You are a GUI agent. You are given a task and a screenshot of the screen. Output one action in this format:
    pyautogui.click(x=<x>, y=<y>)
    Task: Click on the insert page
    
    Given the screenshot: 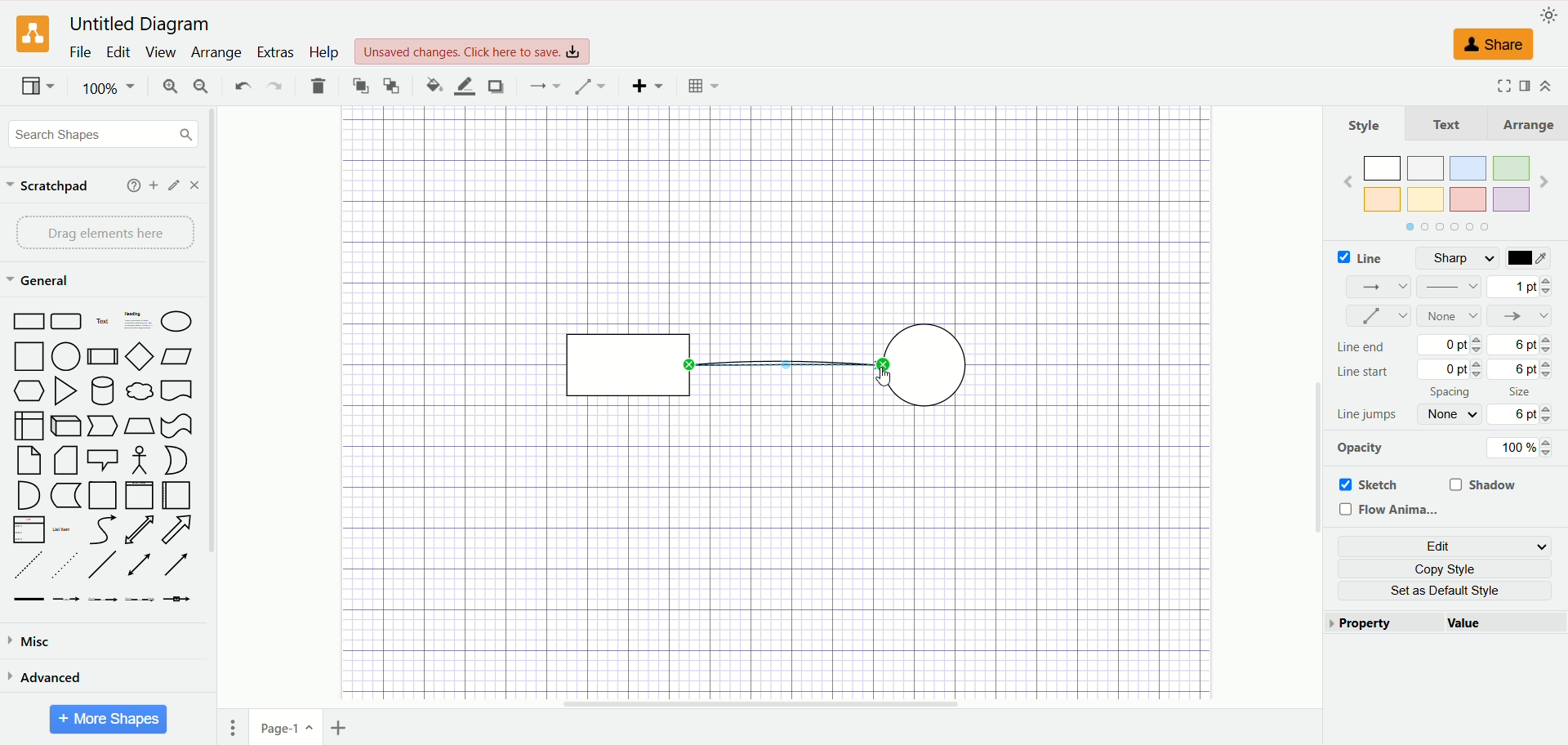 What is the action you would take?
    pyautogui.click(x=341, y=730)
    